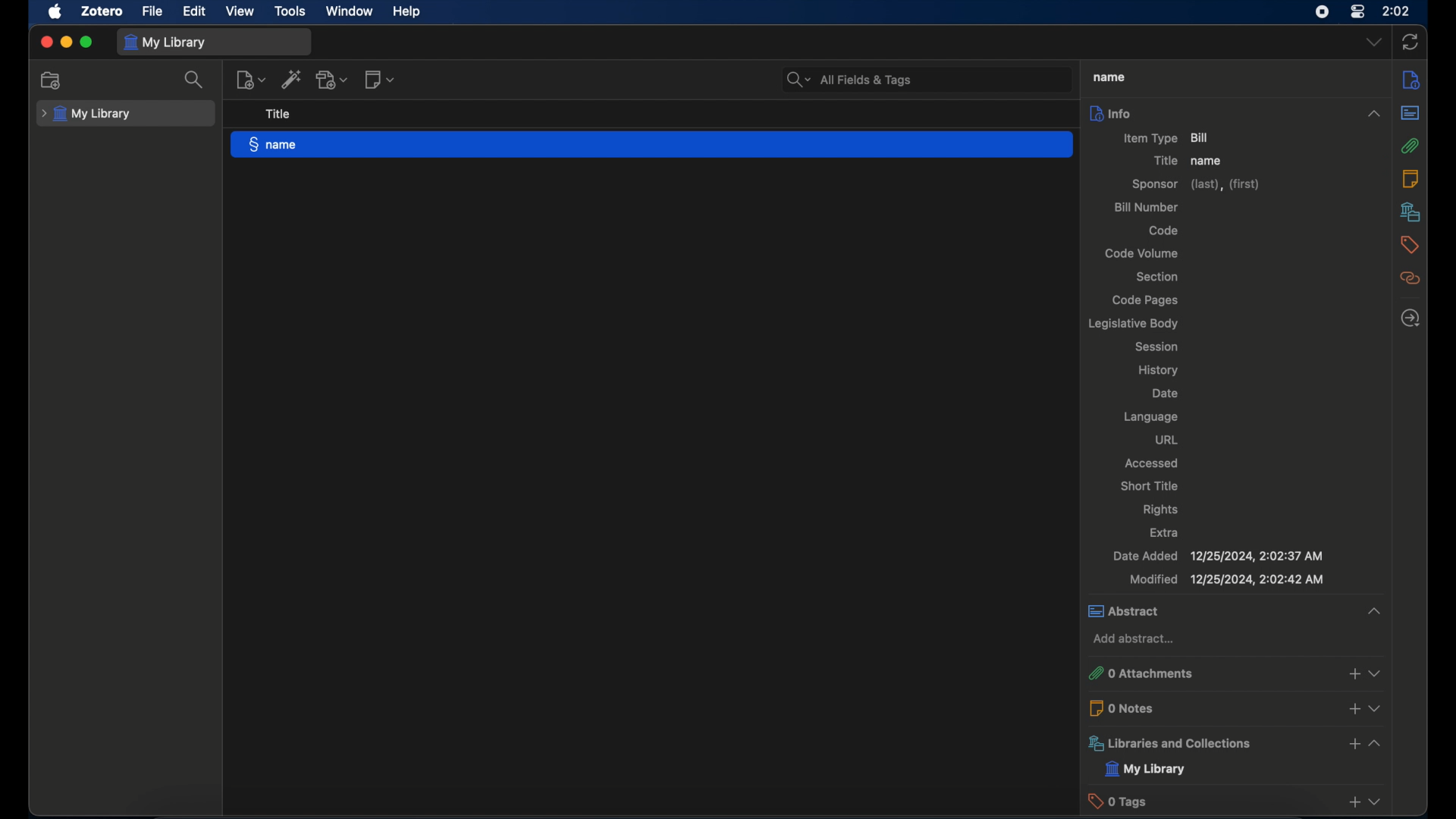 The height and width of the screenshot is (819, 1456). I want to click on session, so click(1157, 347).